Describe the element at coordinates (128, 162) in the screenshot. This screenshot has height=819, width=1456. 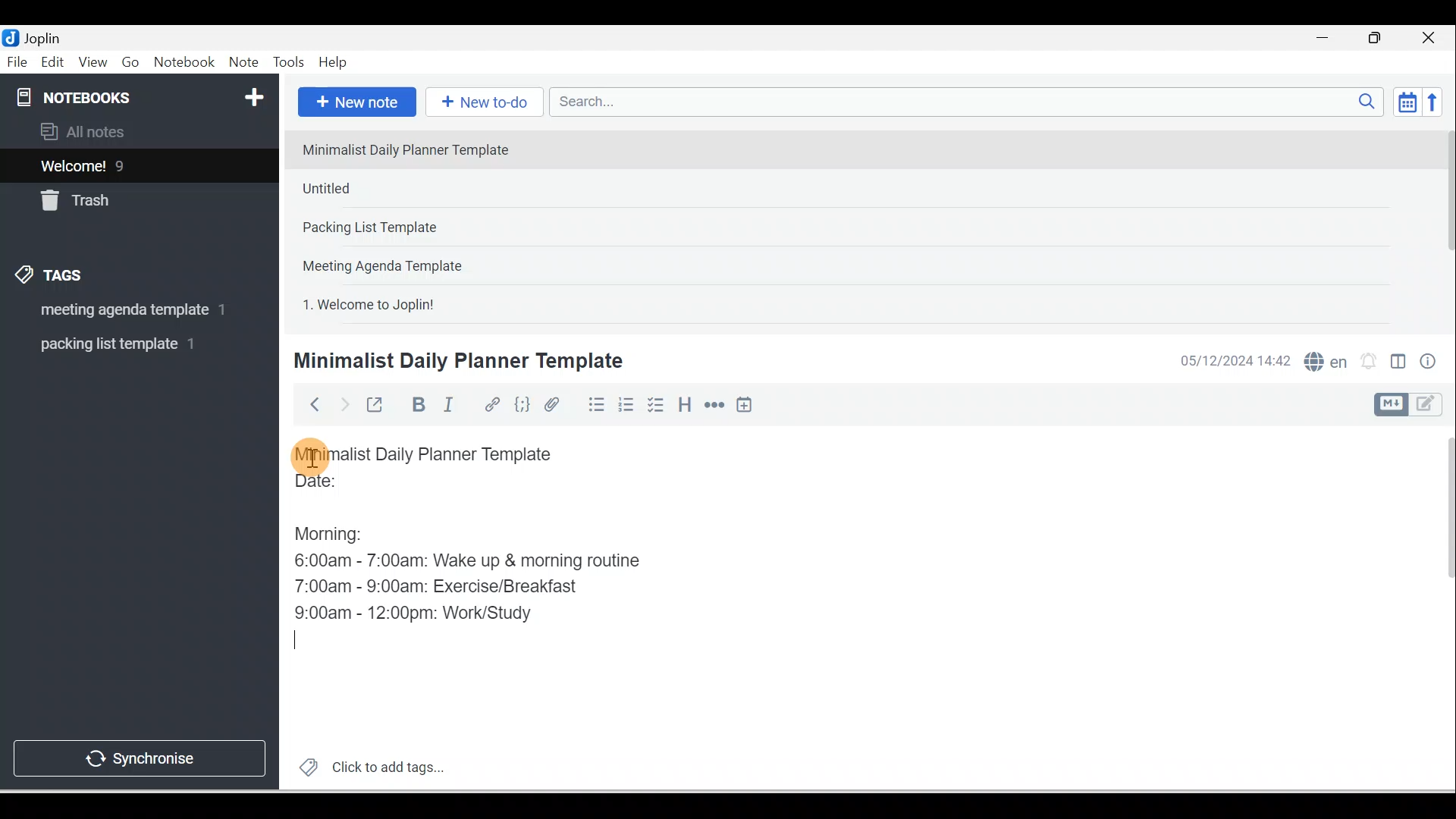
I see `Notes` at that location.